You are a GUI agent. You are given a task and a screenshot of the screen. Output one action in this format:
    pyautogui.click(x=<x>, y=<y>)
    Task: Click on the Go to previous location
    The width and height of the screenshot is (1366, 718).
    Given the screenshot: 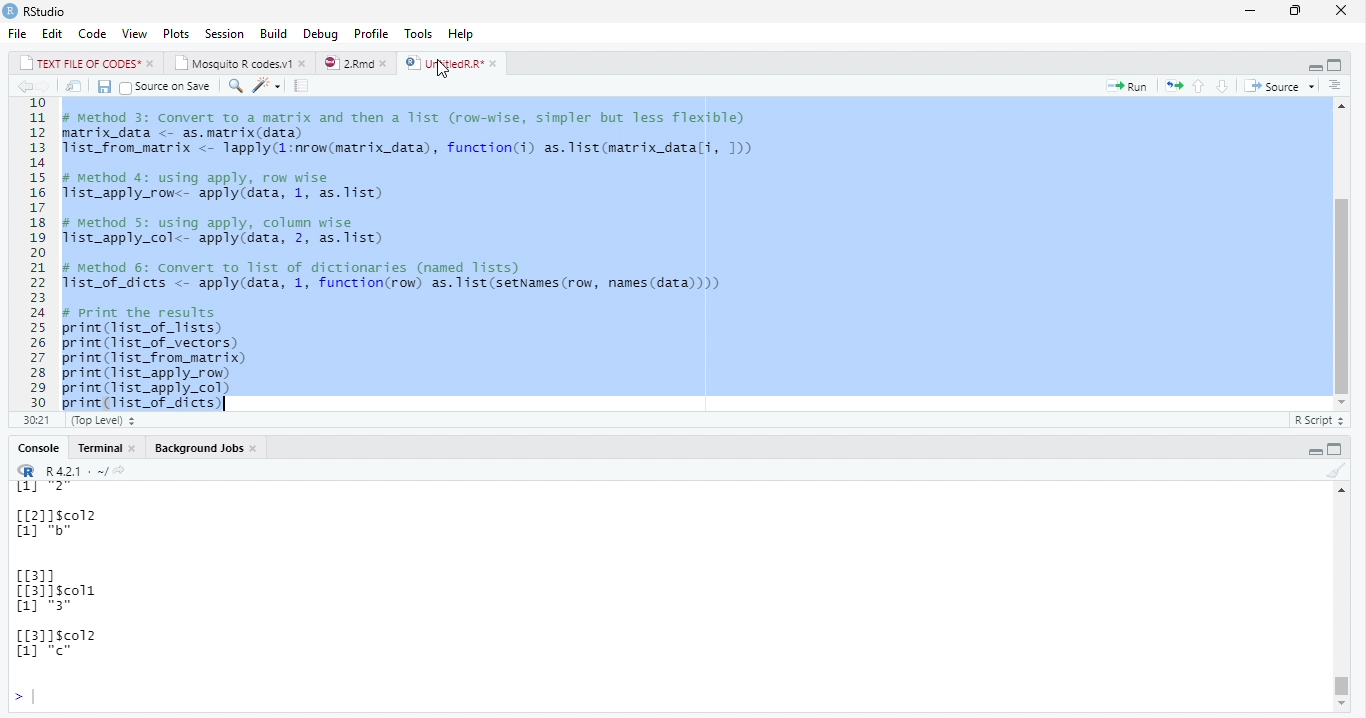 What is the action you would take?
    pyautogui.click(x=23, y=88)
    